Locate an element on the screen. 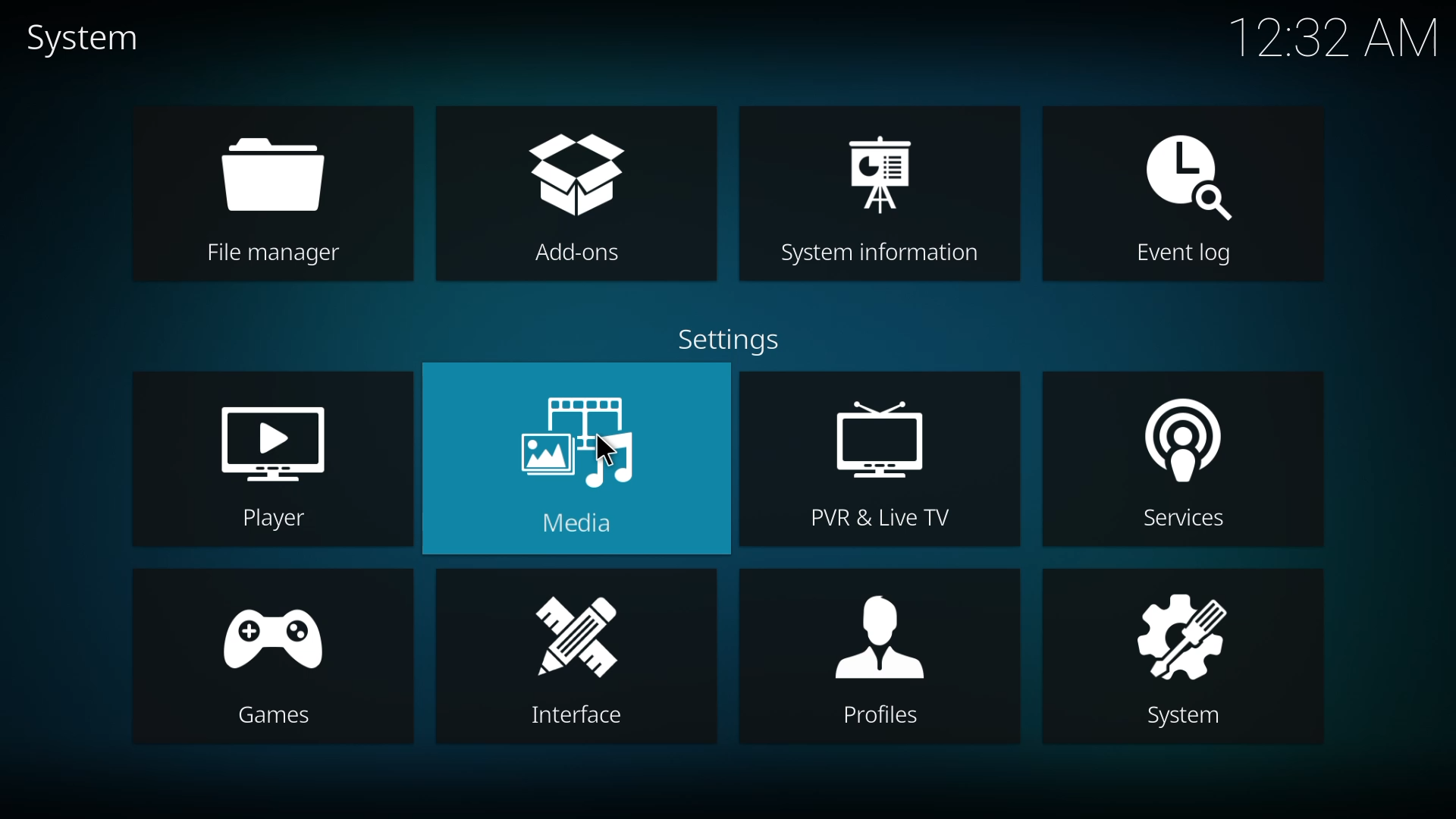 This screenshot has height=819, width=1456. pvr & live tv is located at coordinates (878, 462).